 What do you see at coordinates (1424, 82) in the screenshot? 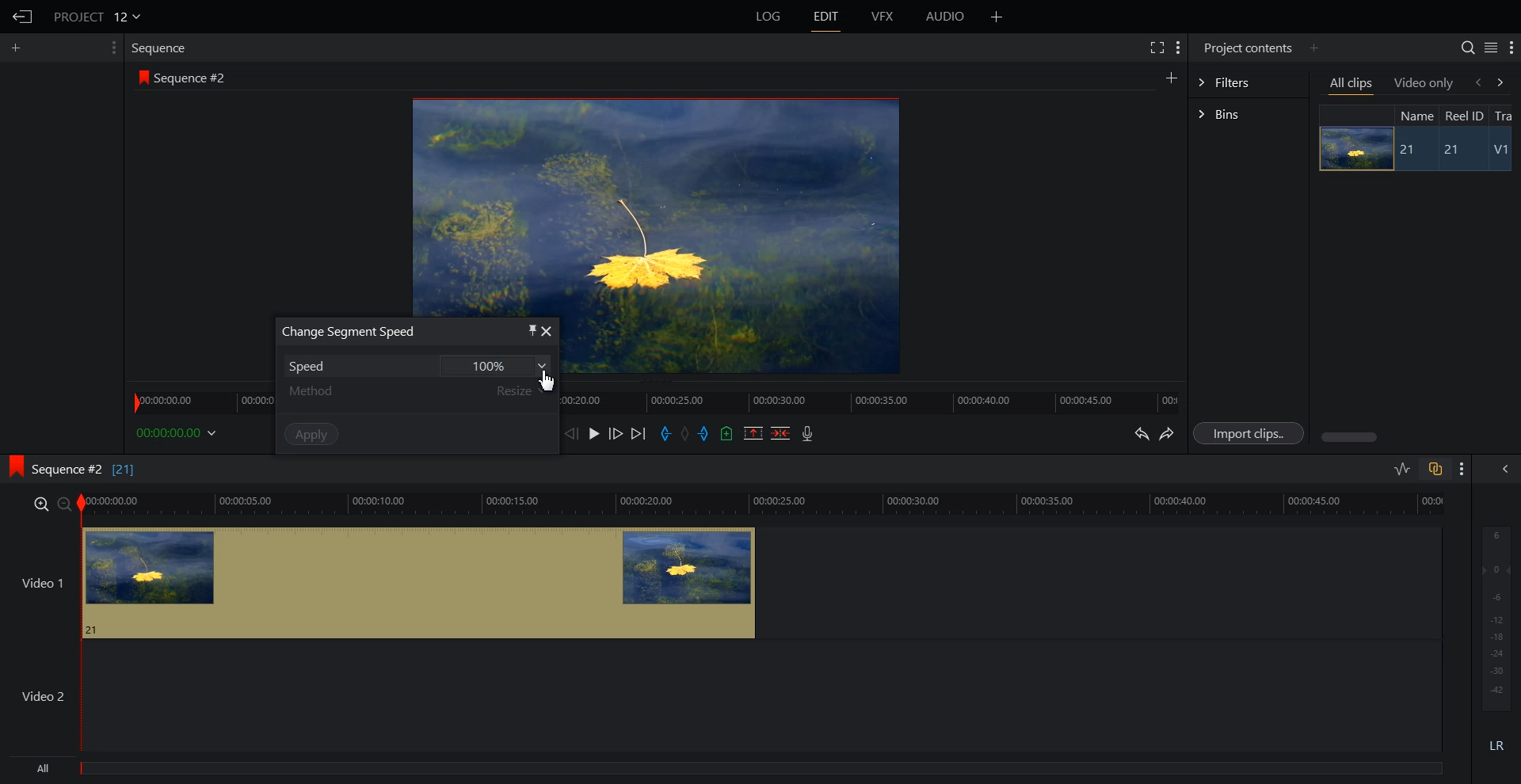
I see `Video only` at bounding box center [1424, 82].